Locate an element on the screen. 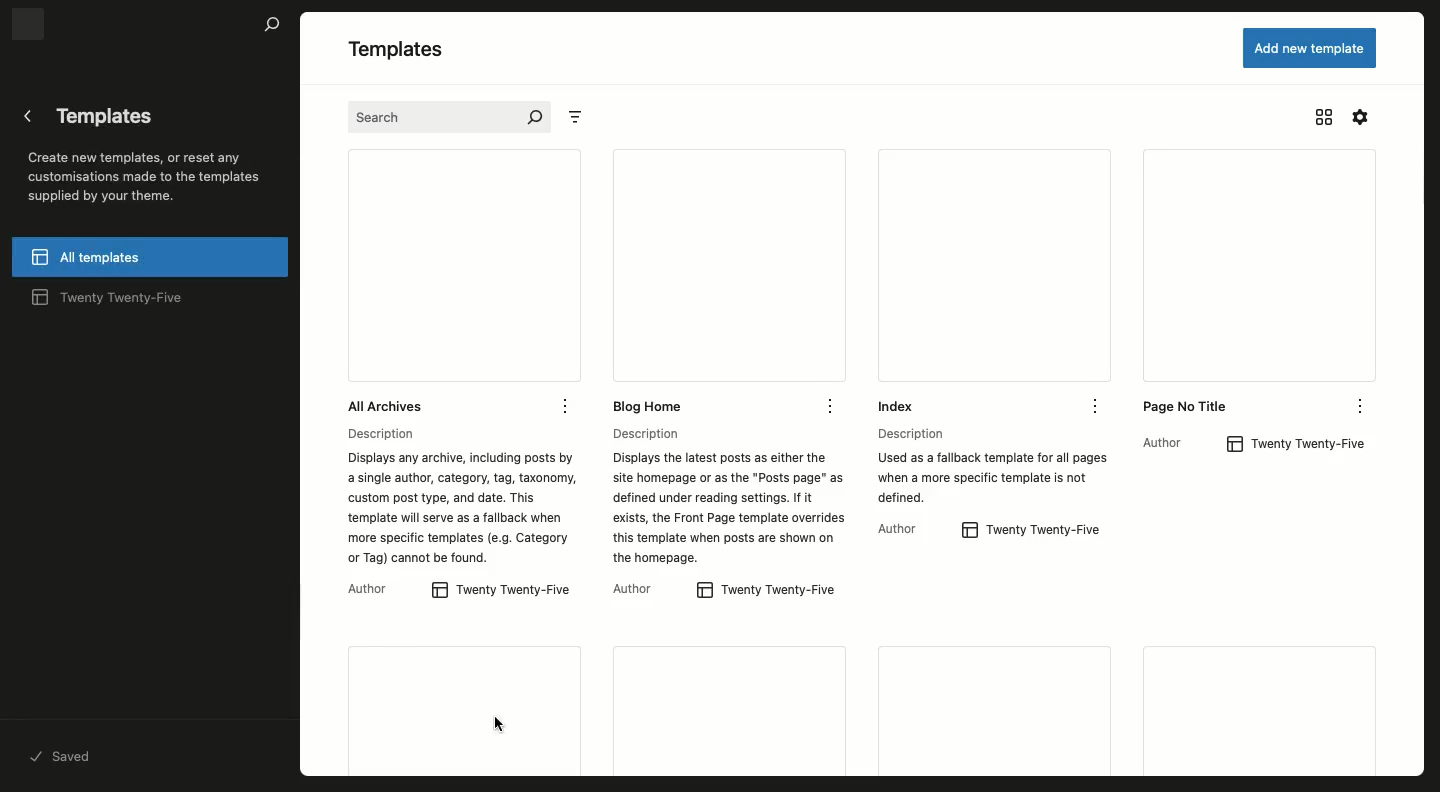  Sort is located at coordinates (578, 115).